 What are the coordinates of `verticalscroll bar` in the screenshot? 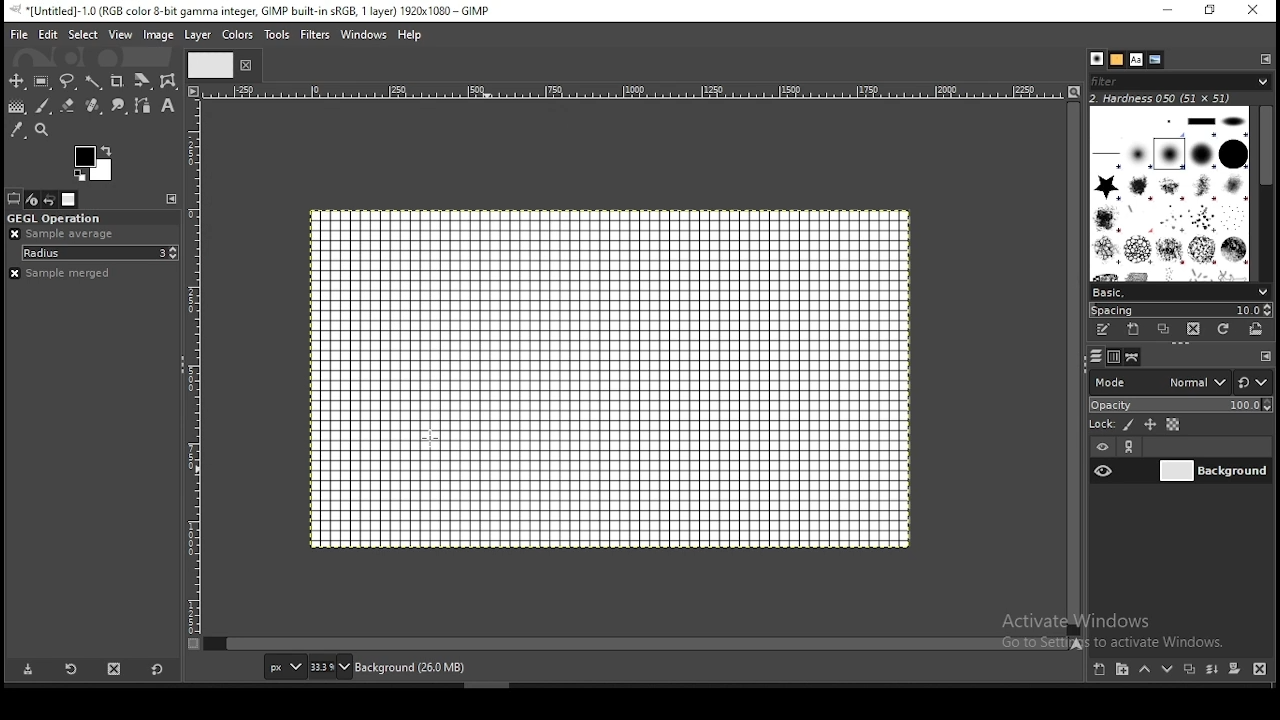 It's located at (641, 643).